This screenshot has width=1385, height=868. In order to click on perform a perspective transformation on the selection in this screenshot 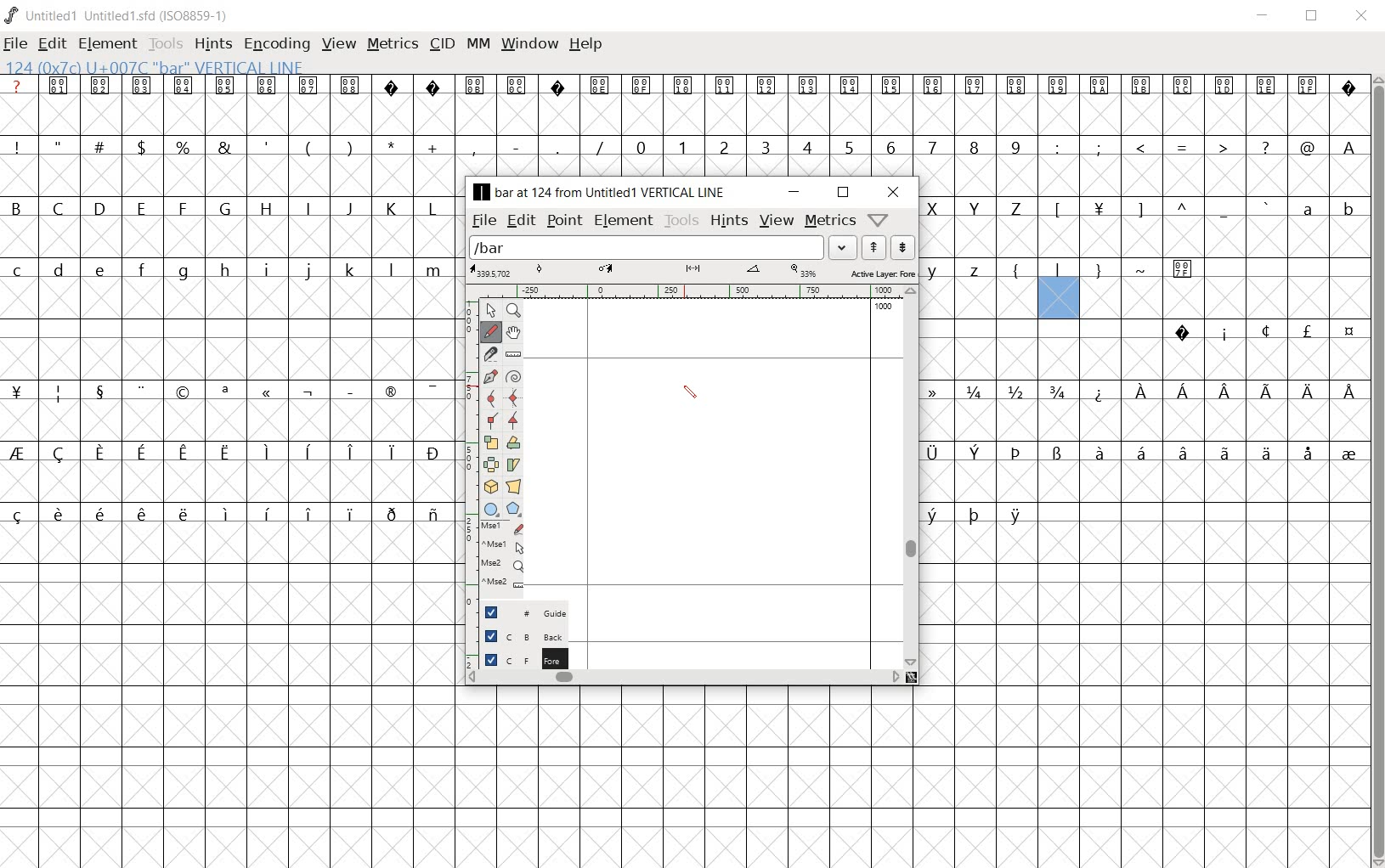, I will do `click(514, 486)`.